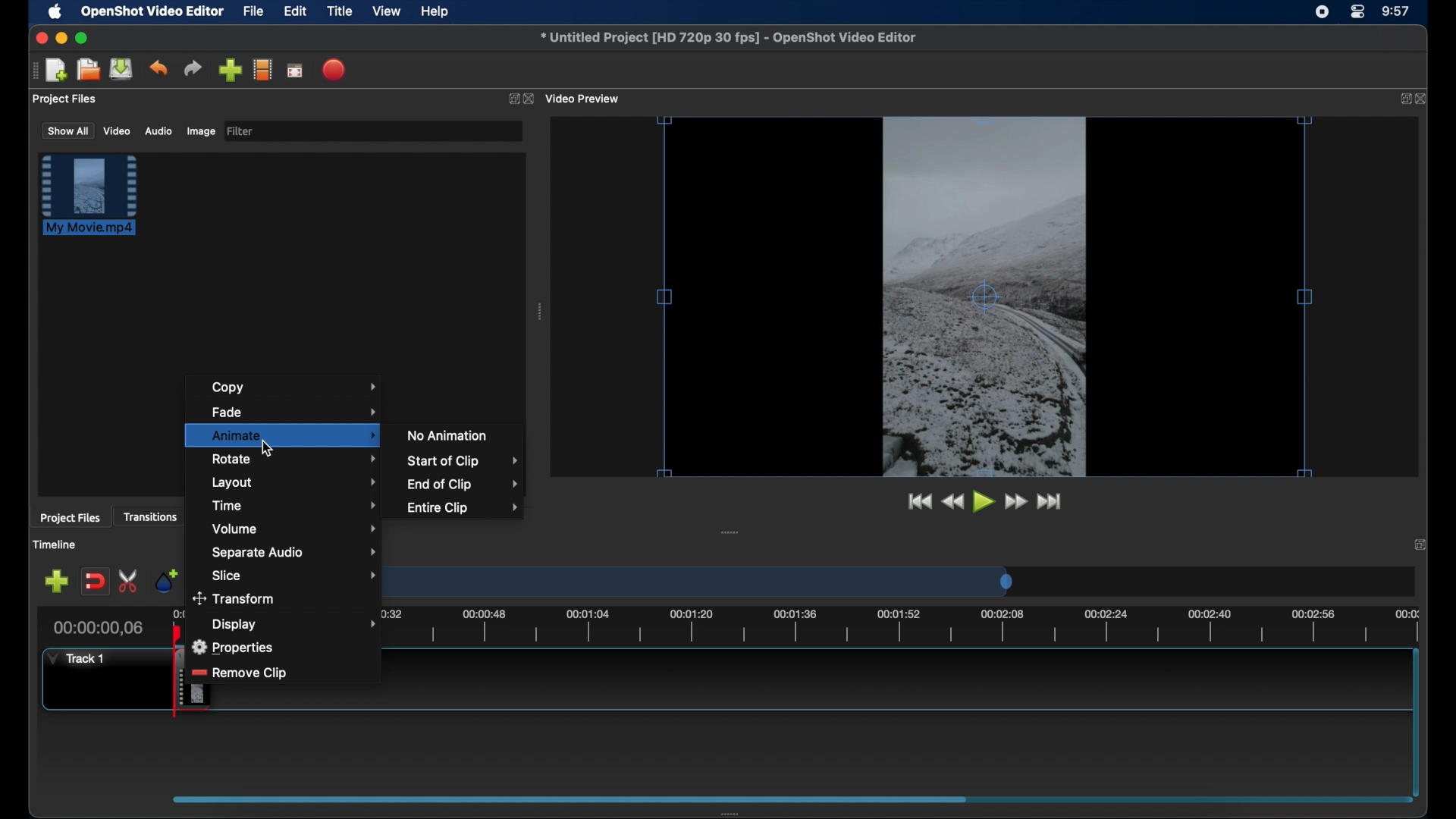 The image size is (1456, 819). What do you see at coordinates (61, 38) in the screenshot?
I see `minimize` at bounding box center [61, 38].